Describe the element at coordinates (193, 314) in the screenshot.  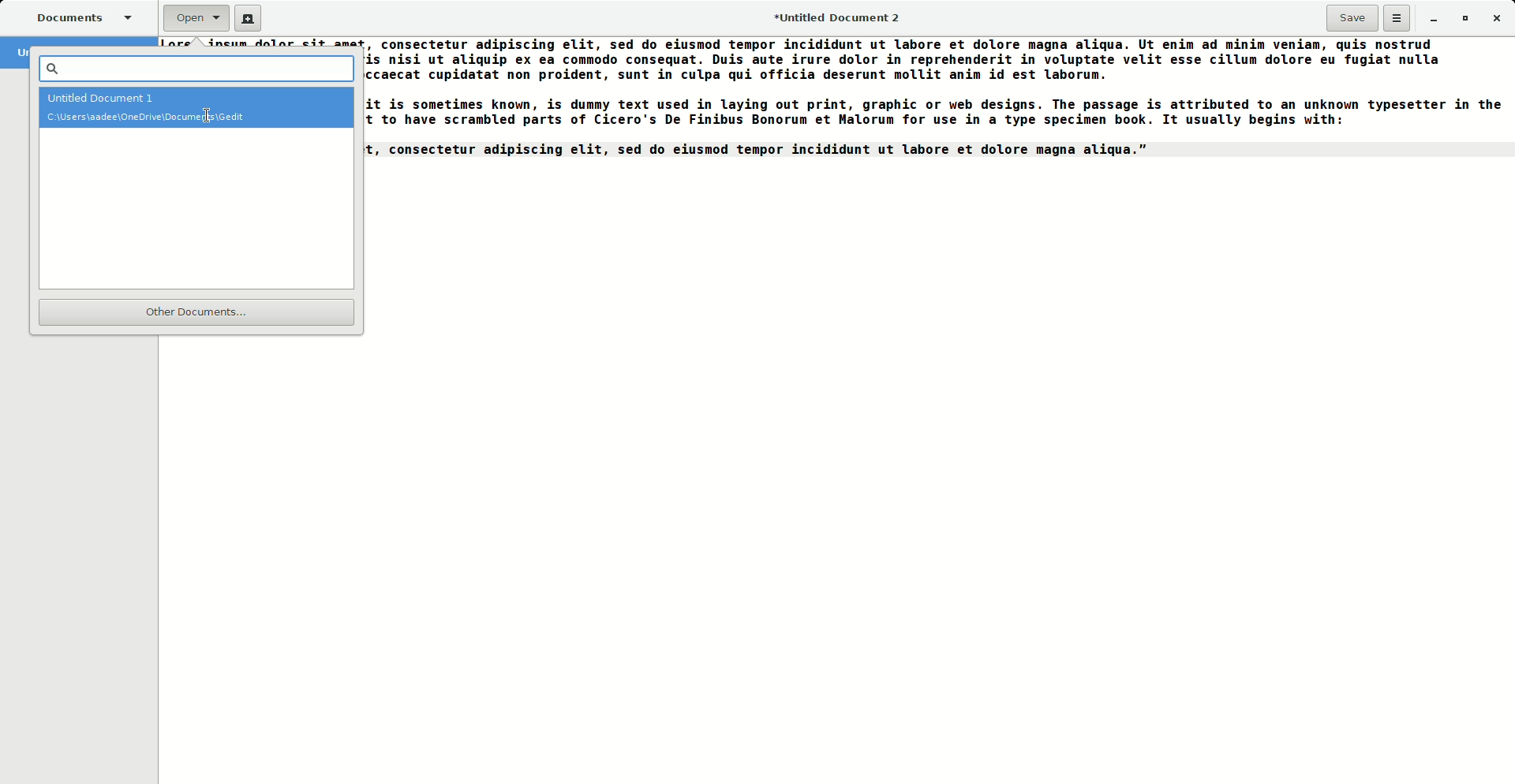
I see `Other documents` at that location.